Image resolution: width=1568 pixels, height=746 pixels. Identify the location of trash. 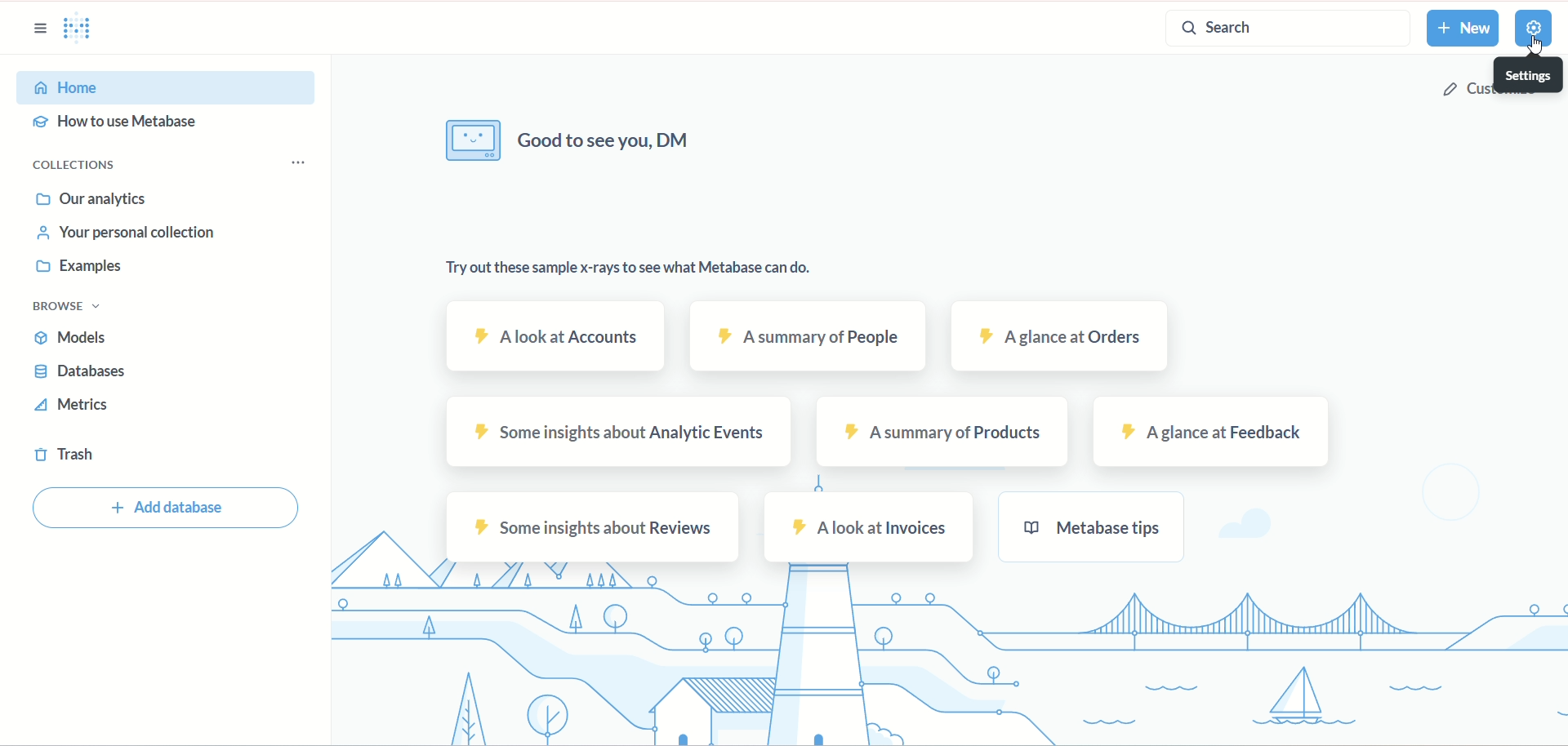
(65, 454).